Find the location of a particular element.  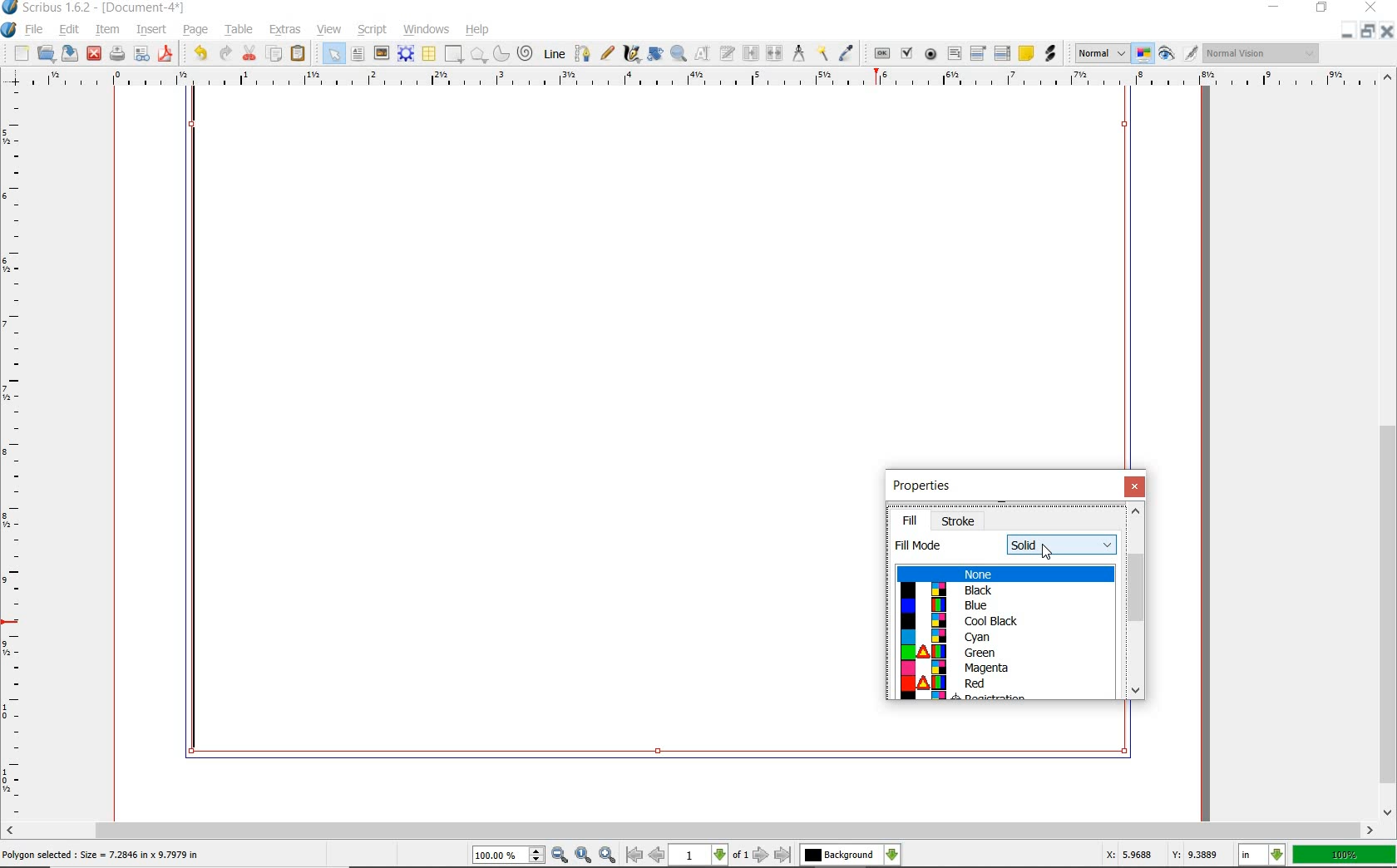

save is located at coordinates (71, 54).